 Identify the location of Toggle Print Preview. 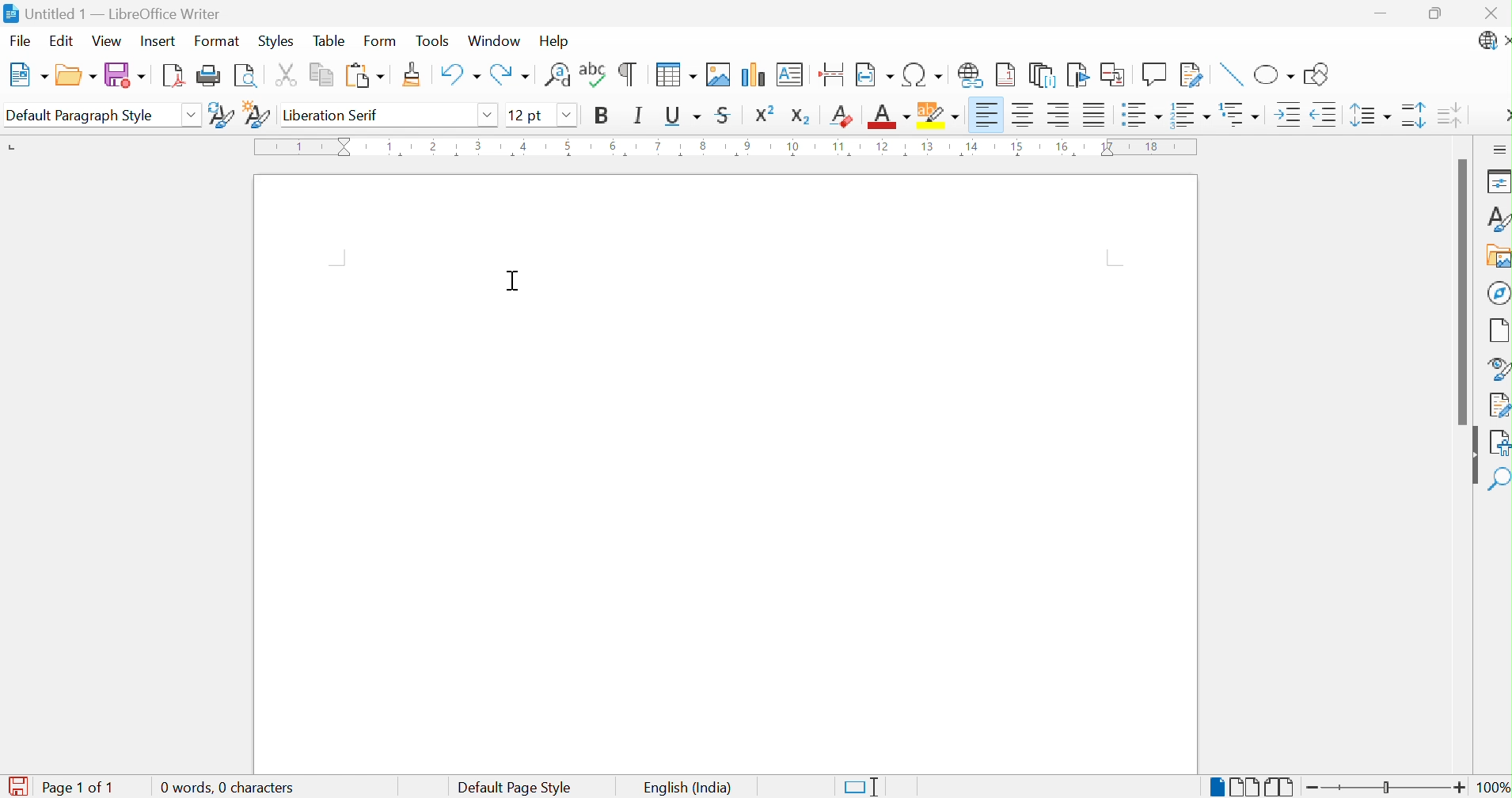
(245, 76).